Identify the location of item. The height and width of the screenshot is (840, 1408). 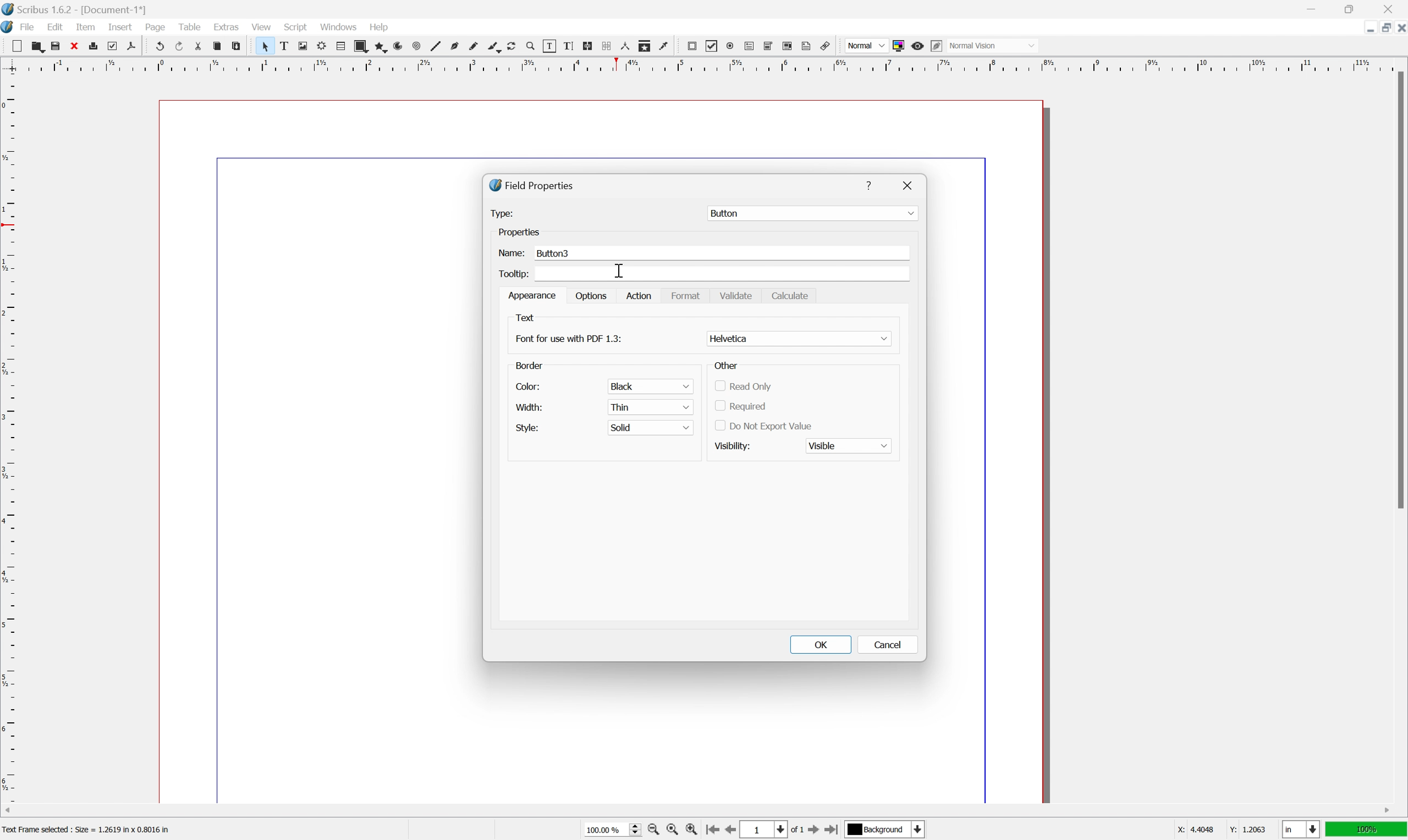
(87, 27).